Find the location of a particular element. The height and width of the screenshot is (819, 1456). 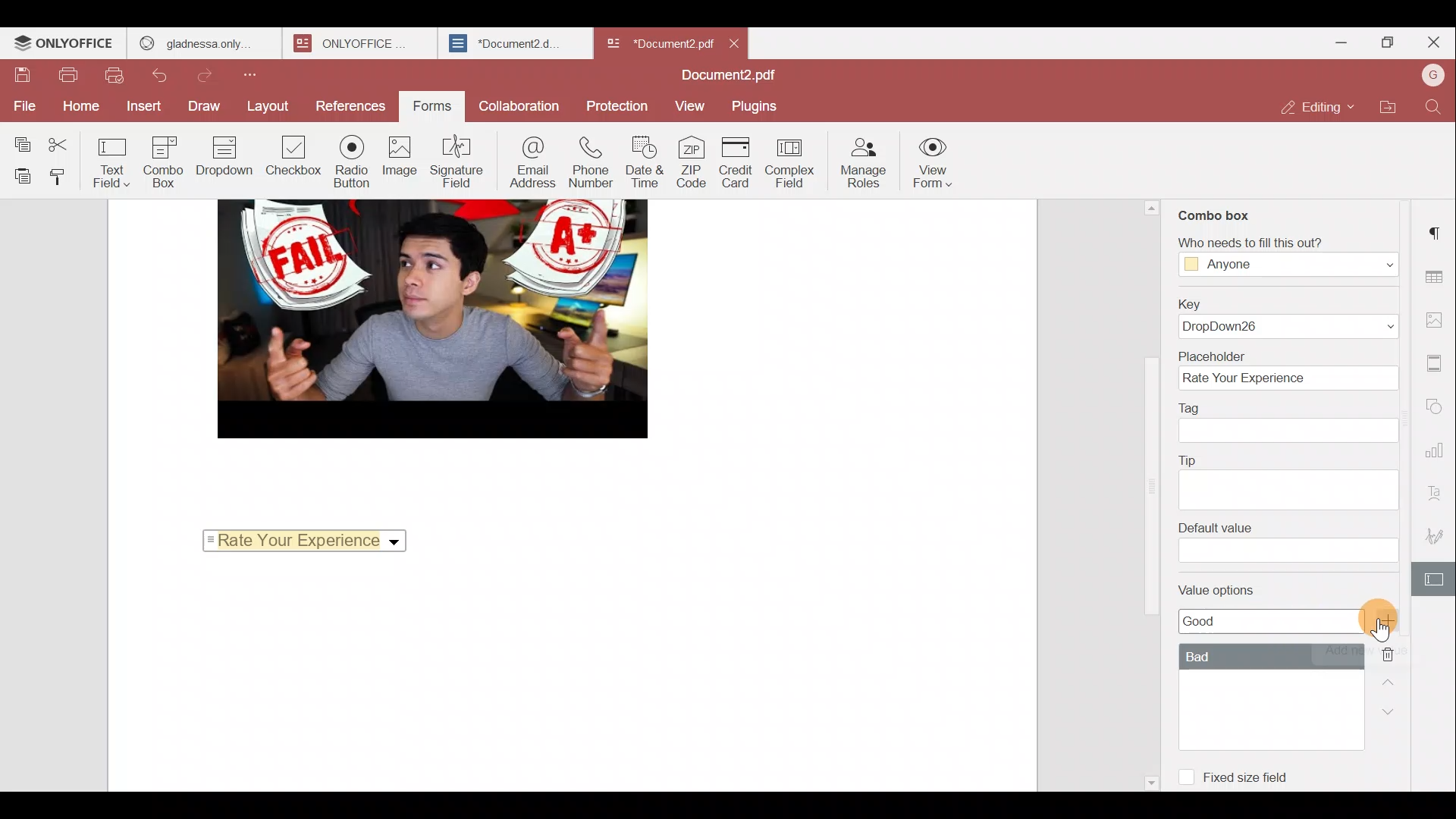

Text field is located at coordinates (117, 165).